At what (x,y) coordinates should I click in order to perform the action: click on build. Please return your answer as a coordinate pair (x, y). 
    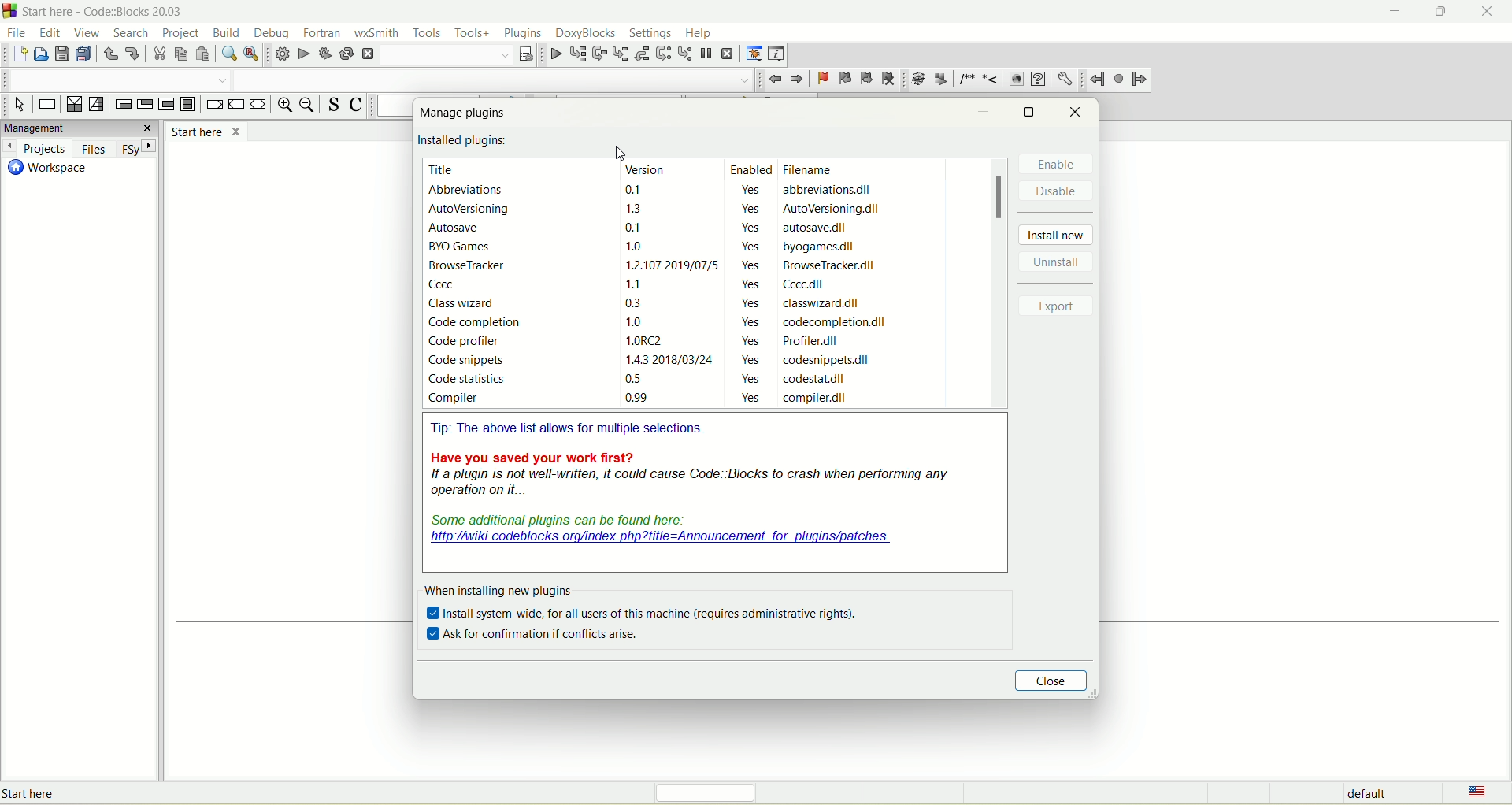
    Looking at the image, I should click on (280, 55).